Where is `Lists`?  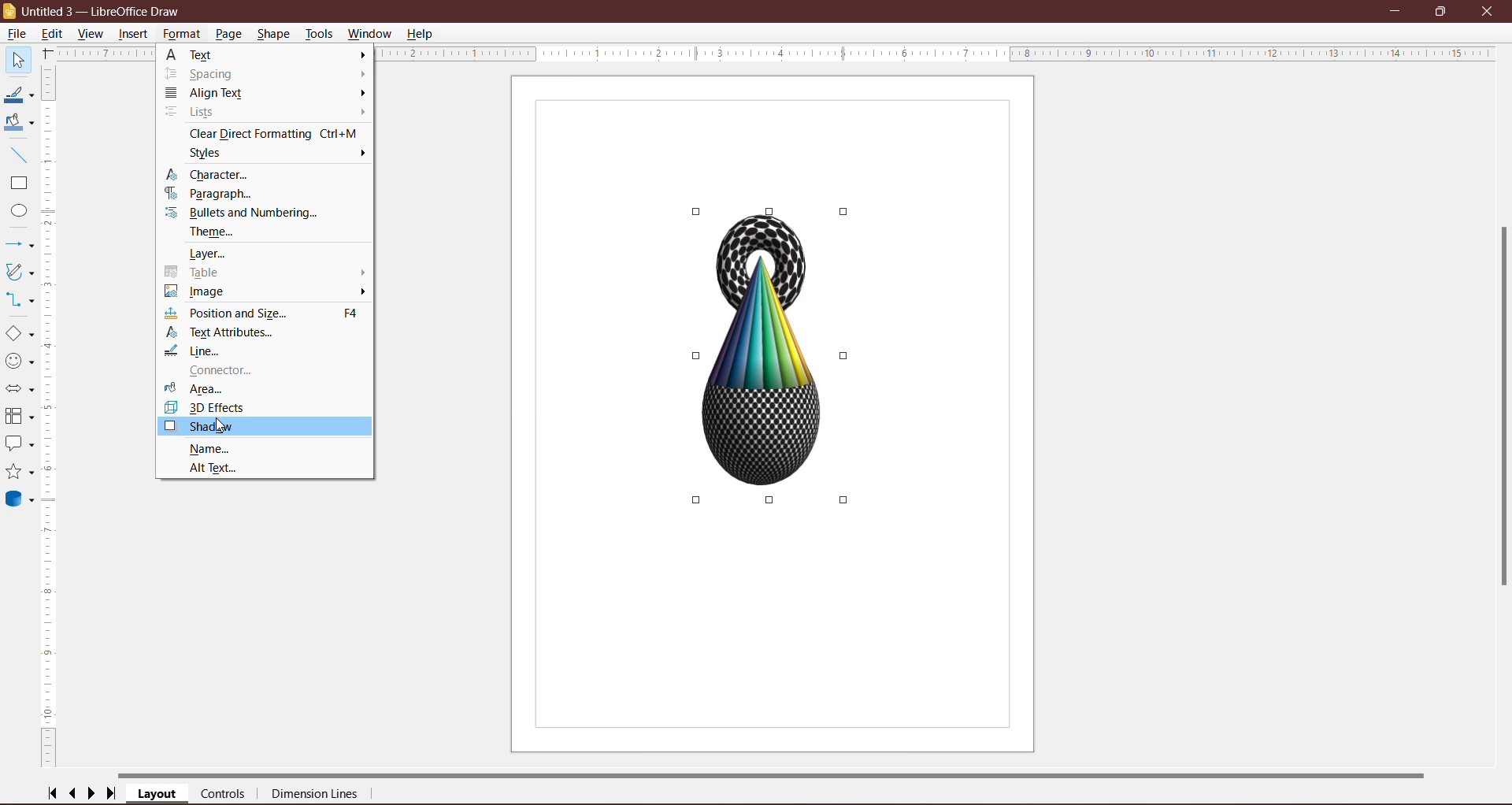
Lists is located at coordinates (201, 113).